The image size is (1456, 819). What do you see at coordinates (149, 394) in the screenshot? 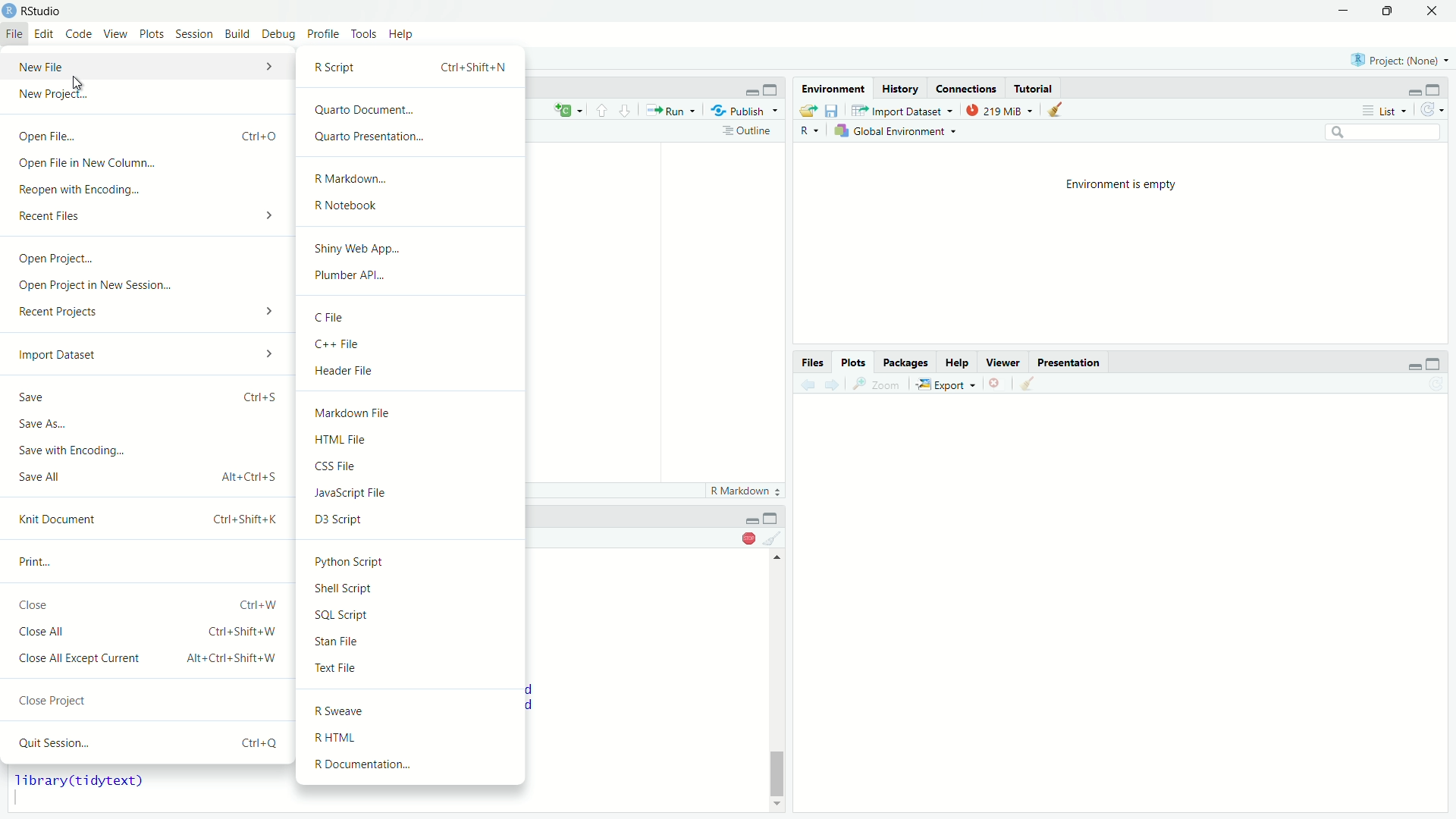
I see `Save` at bounding box center [149, 394].